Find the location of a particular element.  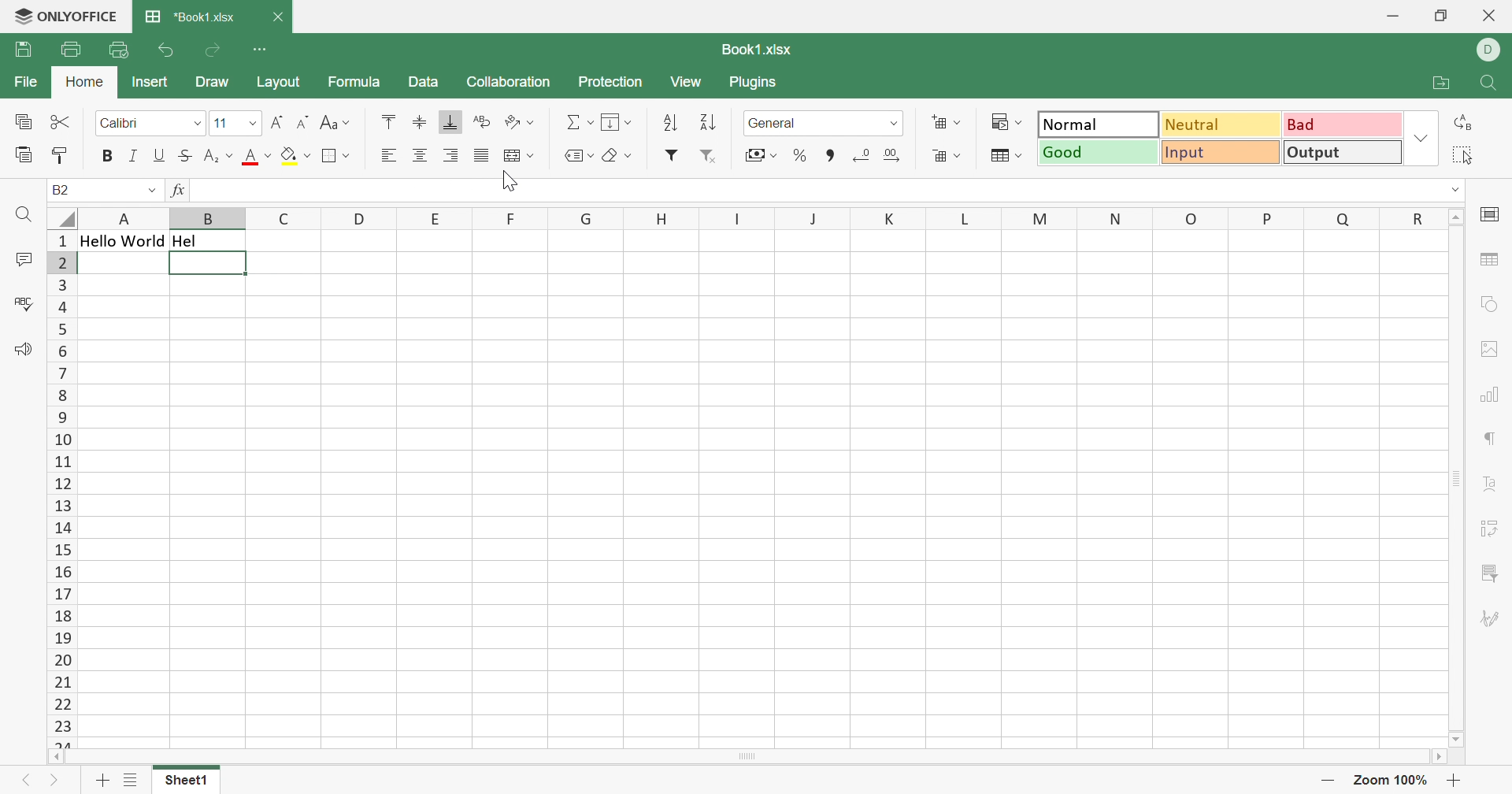

Fill is located at coordinates (615, 121).